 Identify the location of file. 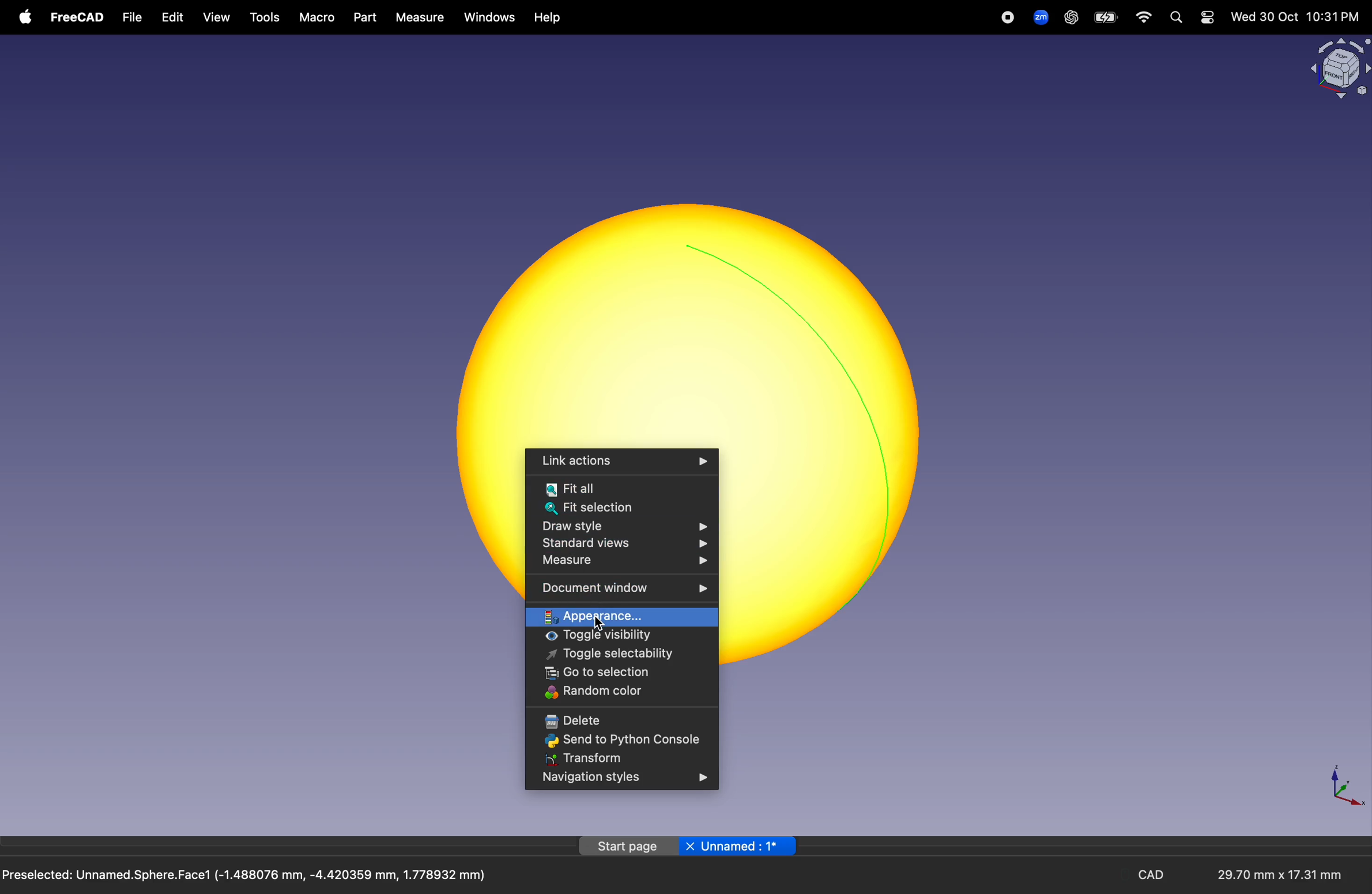
(133, 18).